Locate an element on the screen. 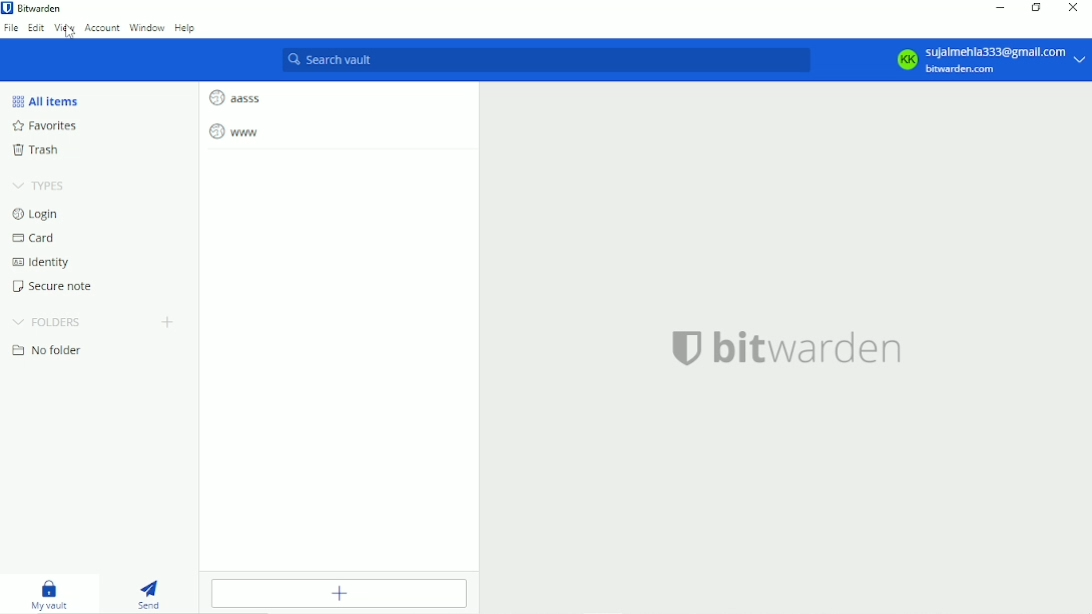  Login is located at coordinates (40, 213).